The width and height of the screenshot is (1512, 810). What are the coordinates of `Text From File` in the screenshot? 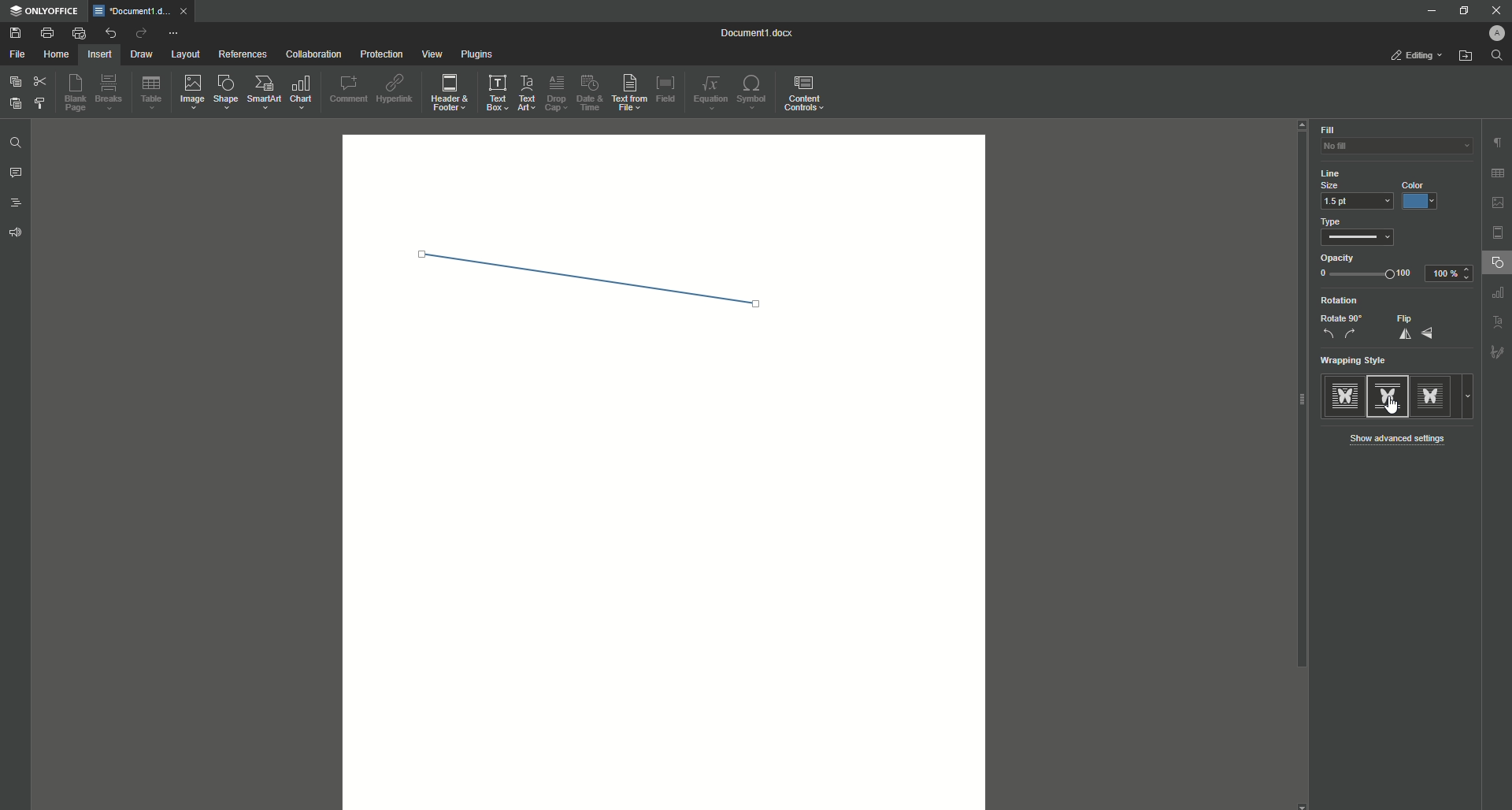 It's located at (631, 94).